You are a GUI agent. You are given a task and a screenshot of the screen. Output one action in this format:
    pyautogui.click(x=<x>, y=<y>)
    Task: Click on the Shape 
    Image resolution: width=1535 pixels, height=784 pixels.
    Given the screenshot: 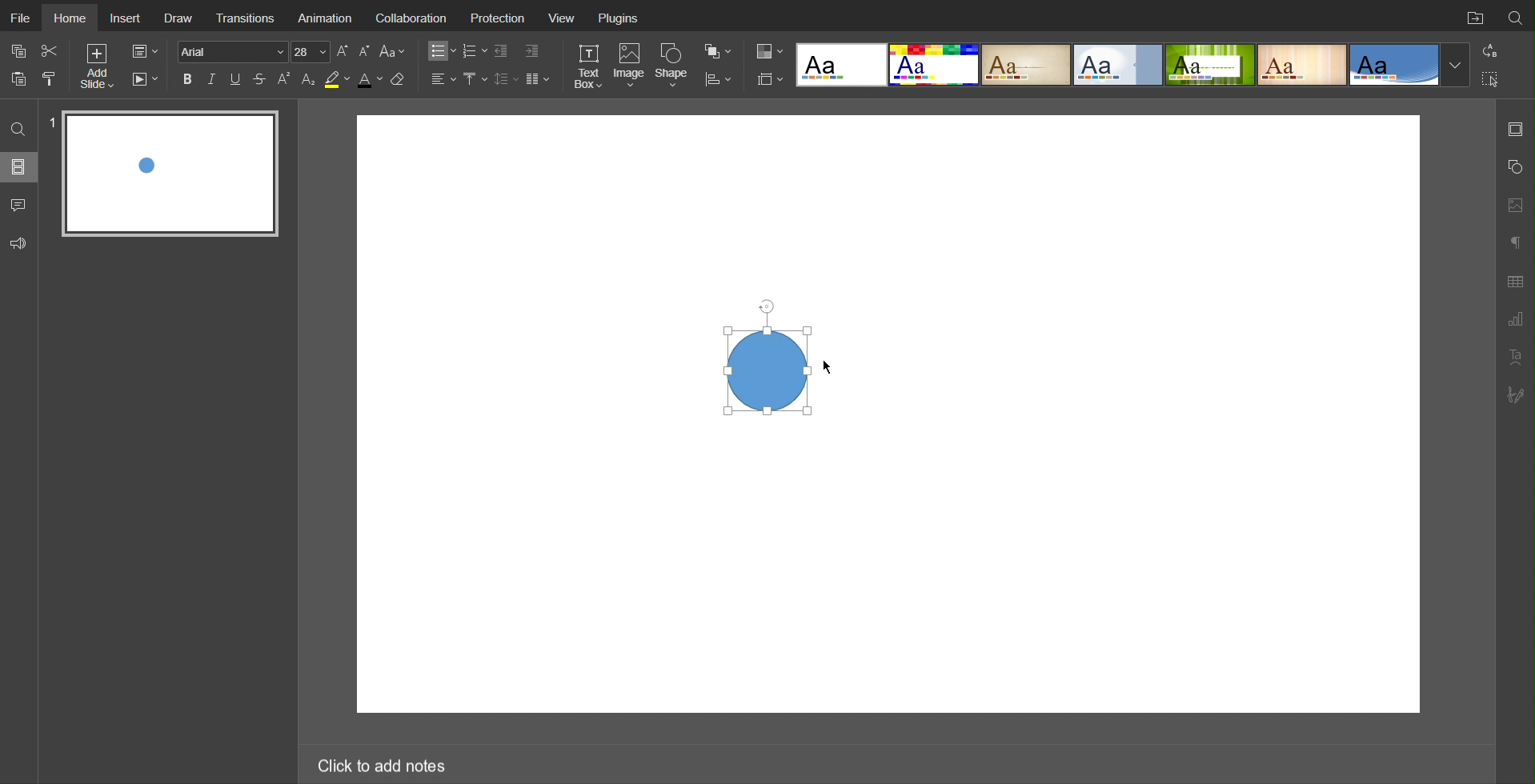 What is the action you would take?
    pyautogui.click(x=675, y=65)
    